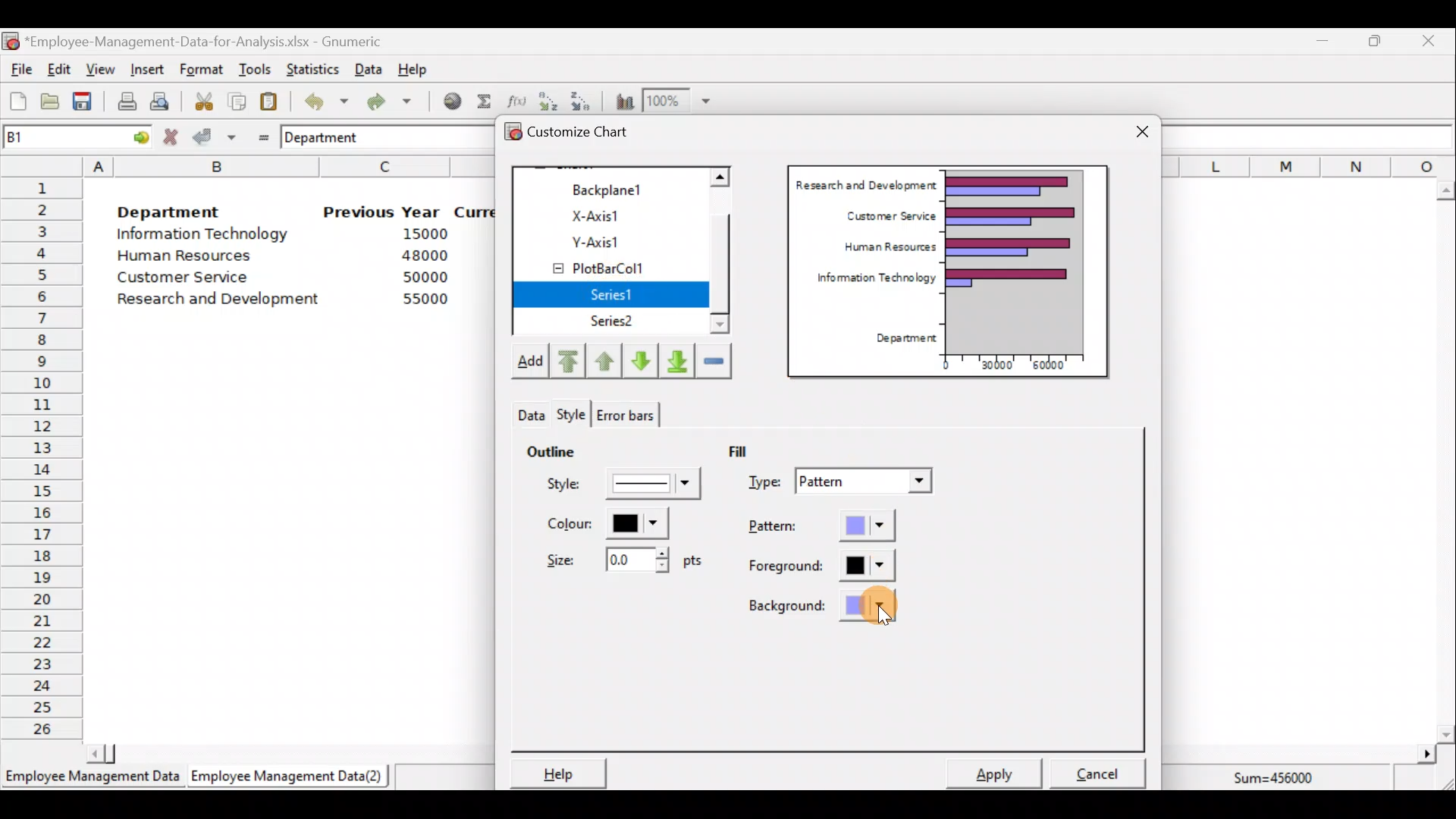  Describe the element at coordinates (620, 295) in the screenshot. I see `Series1` at that location.